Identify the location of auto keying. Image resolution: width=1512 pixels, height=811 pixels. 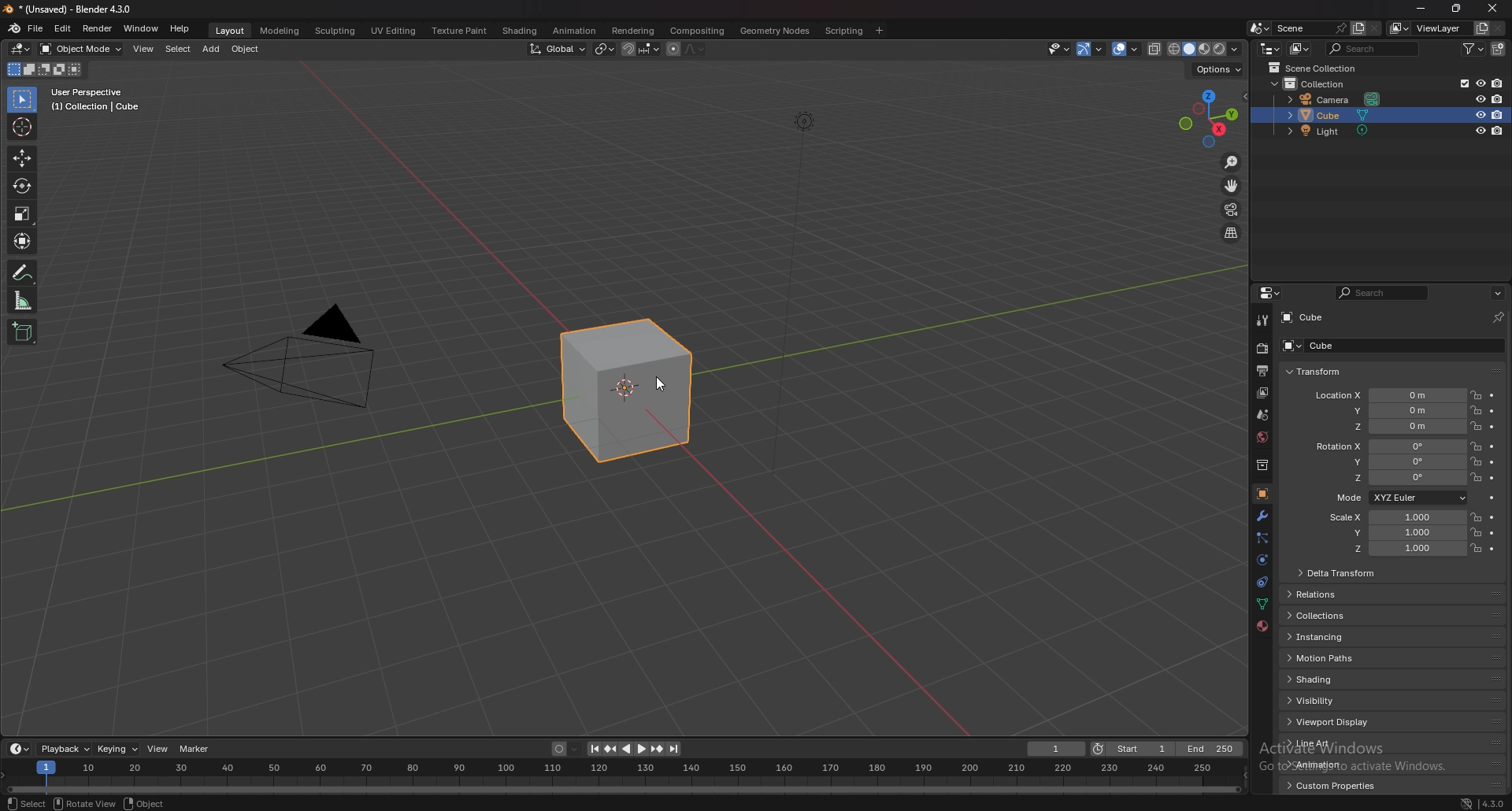
(565, 749).